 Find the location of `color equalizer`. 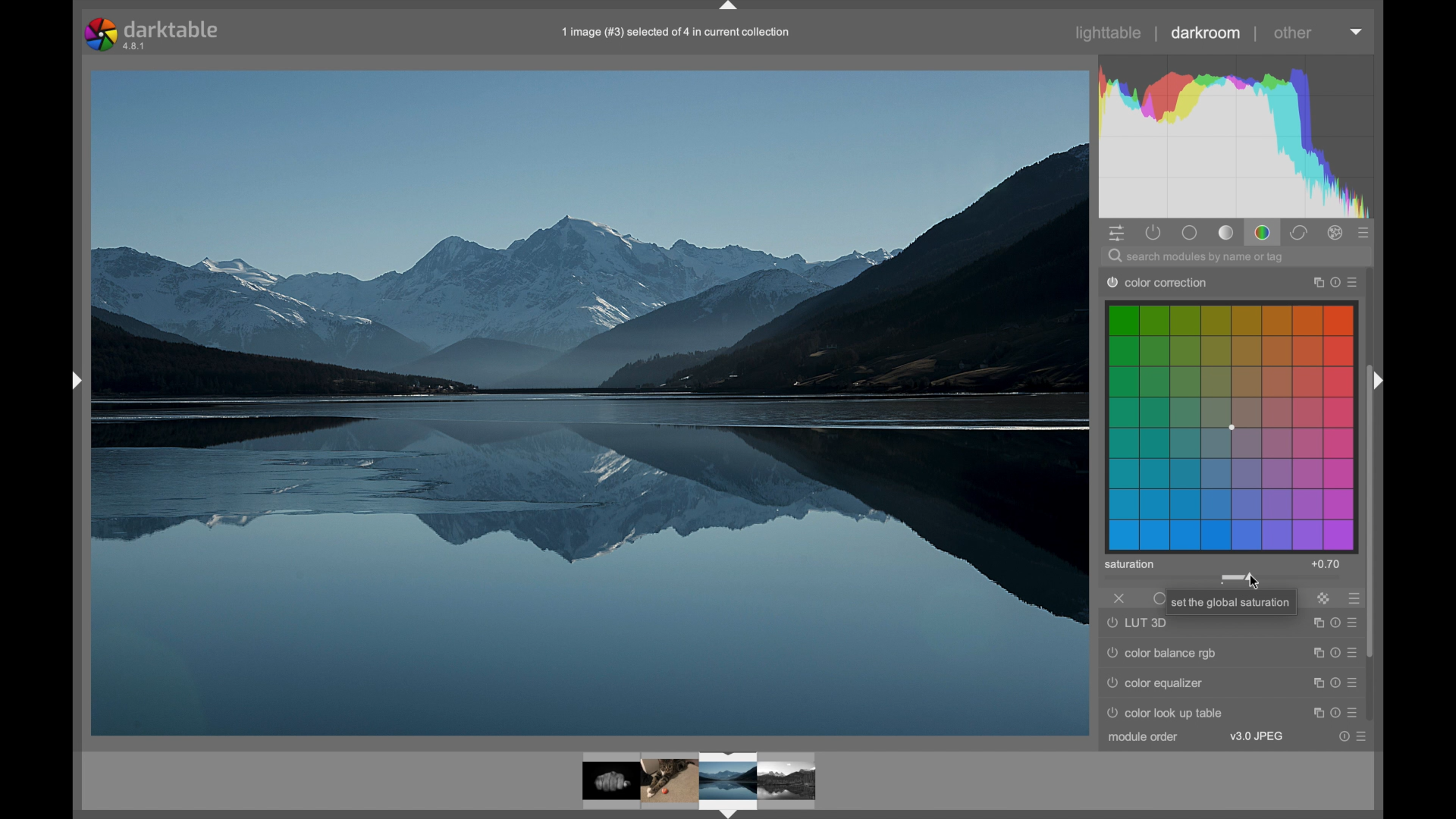

color equalizer is located at coordinates (1159, 686).